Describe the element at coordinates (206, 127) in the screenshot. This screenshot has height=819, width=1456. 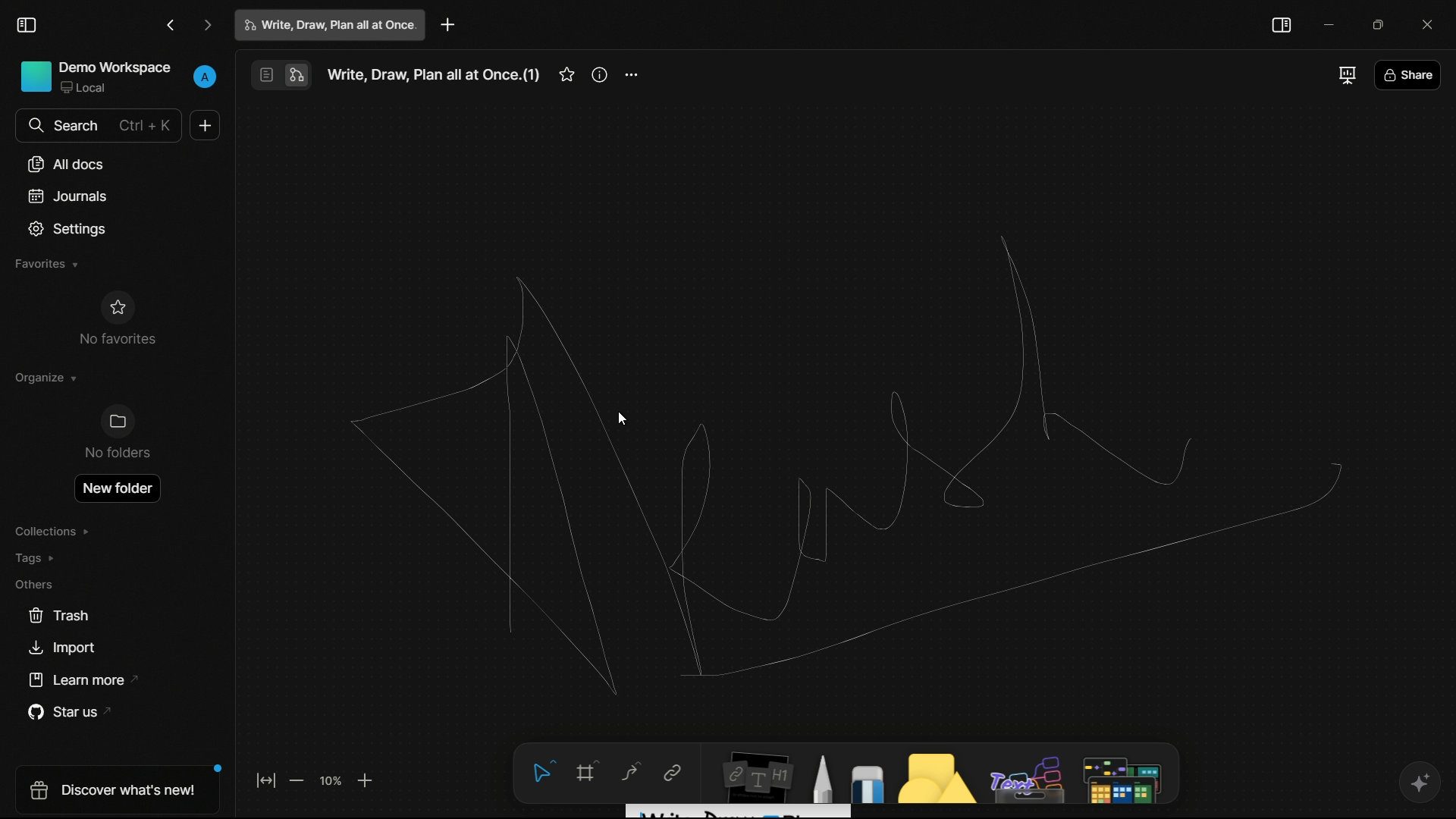
I see `new document` at that location.